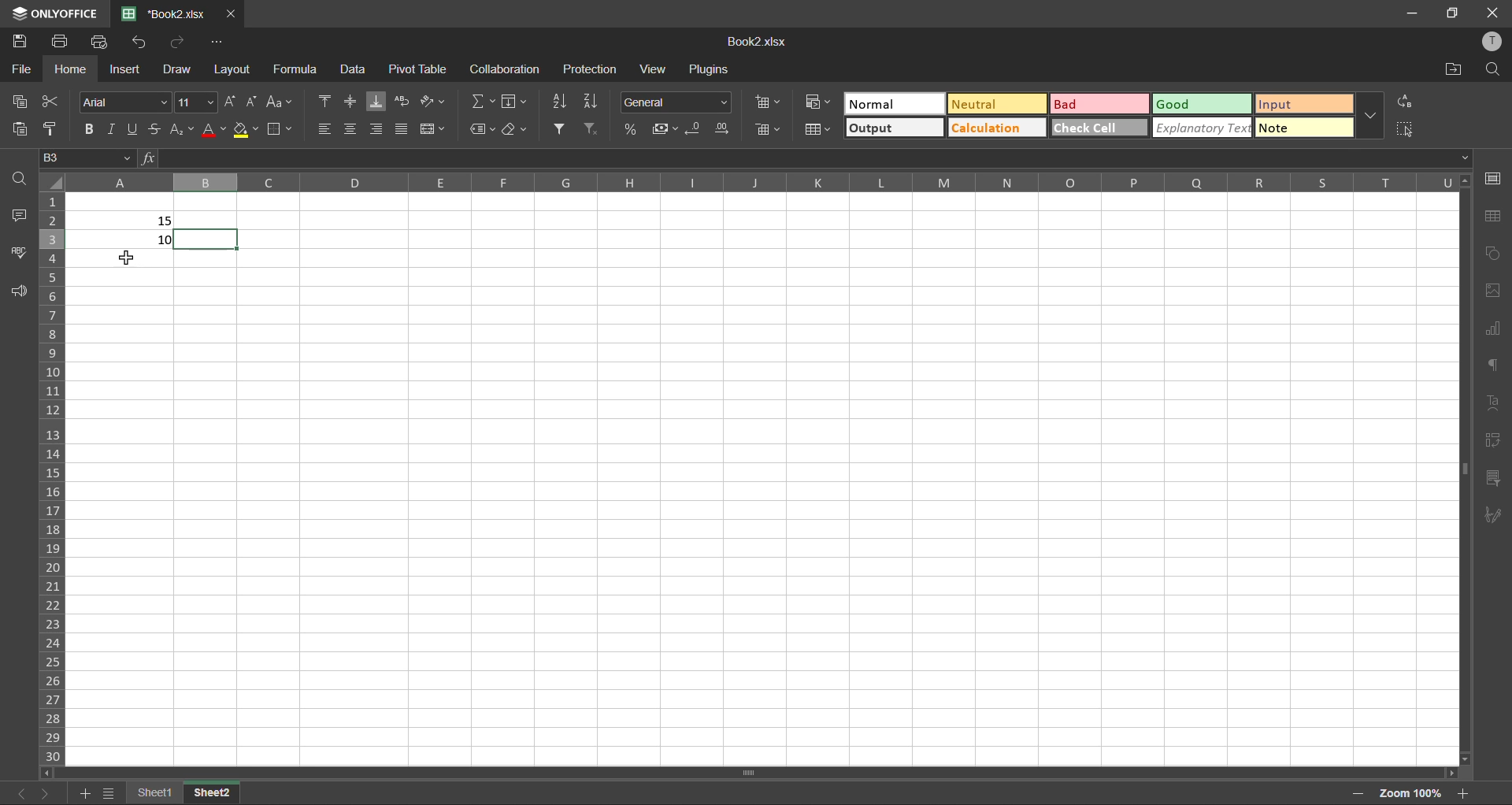  Describe the element at coordinates (132, 127) in the screenshot. I see `underline` at that location.